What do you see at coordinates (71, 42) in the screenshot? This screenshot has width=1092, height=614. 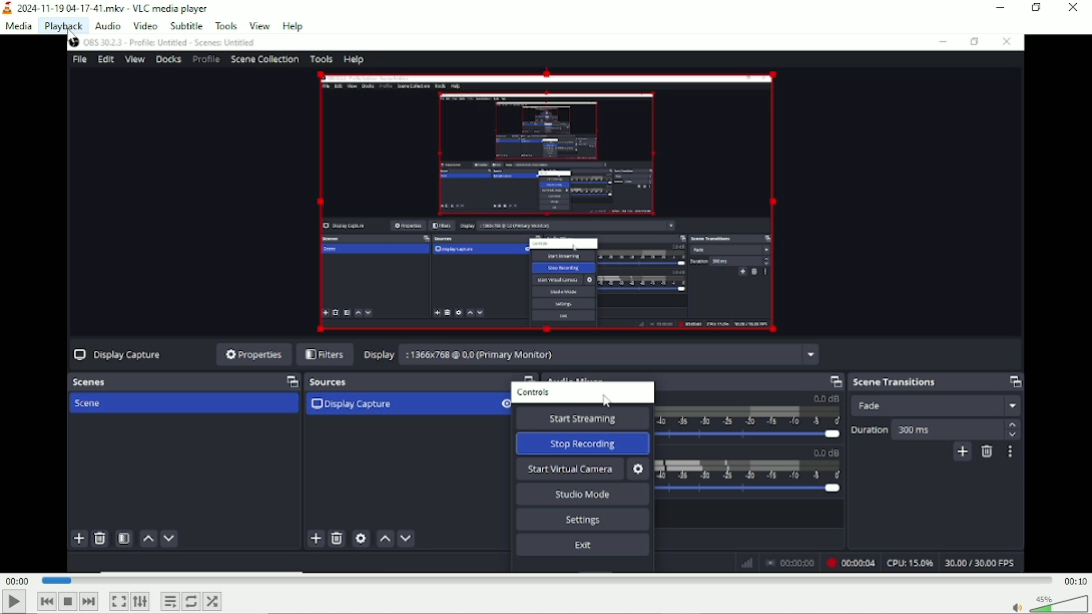 I see `Mouse Cursor` at bounding box center [71, 42].